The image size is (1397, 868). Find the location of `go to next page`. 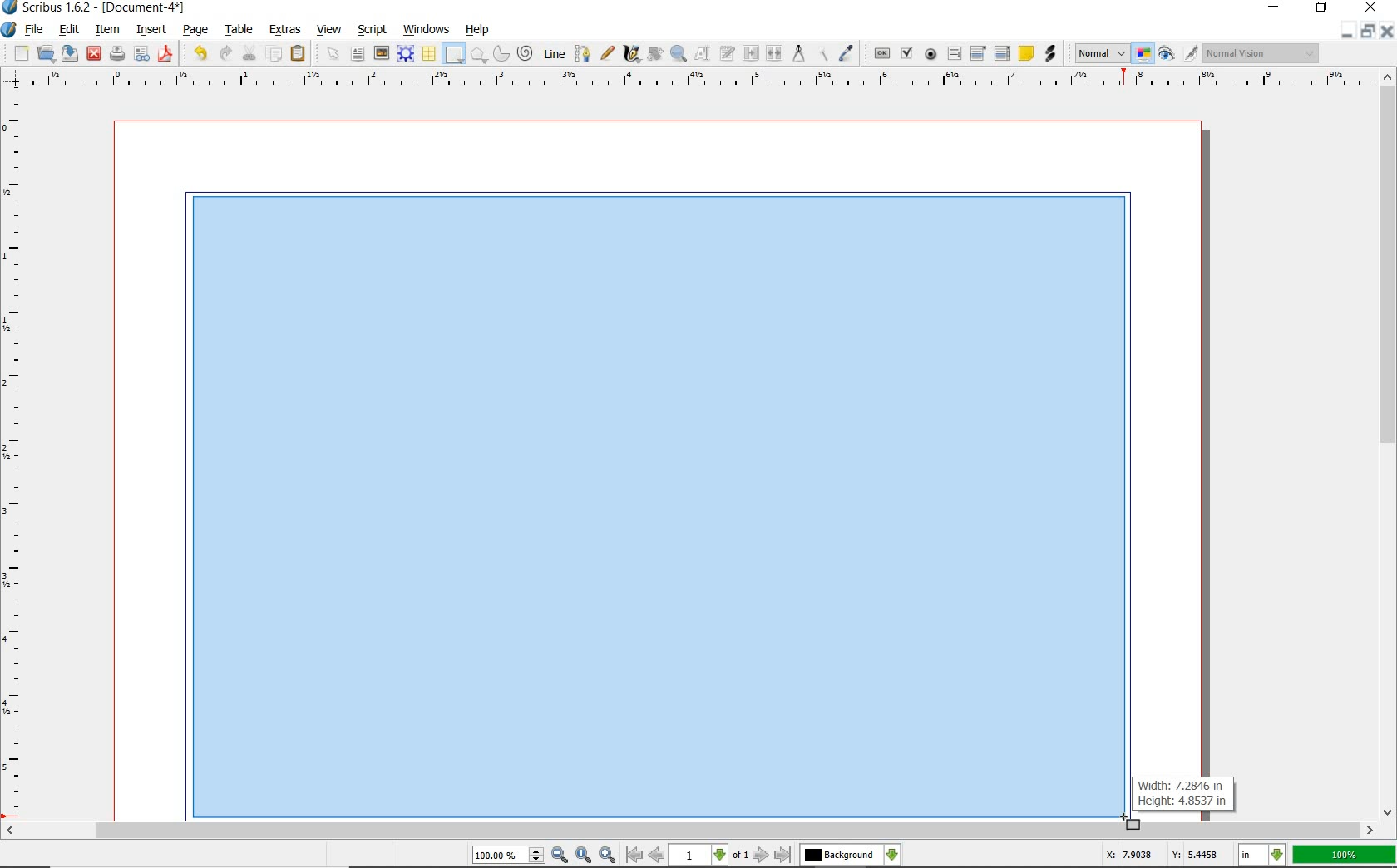

go to next page is located at coordinates (762, 855).